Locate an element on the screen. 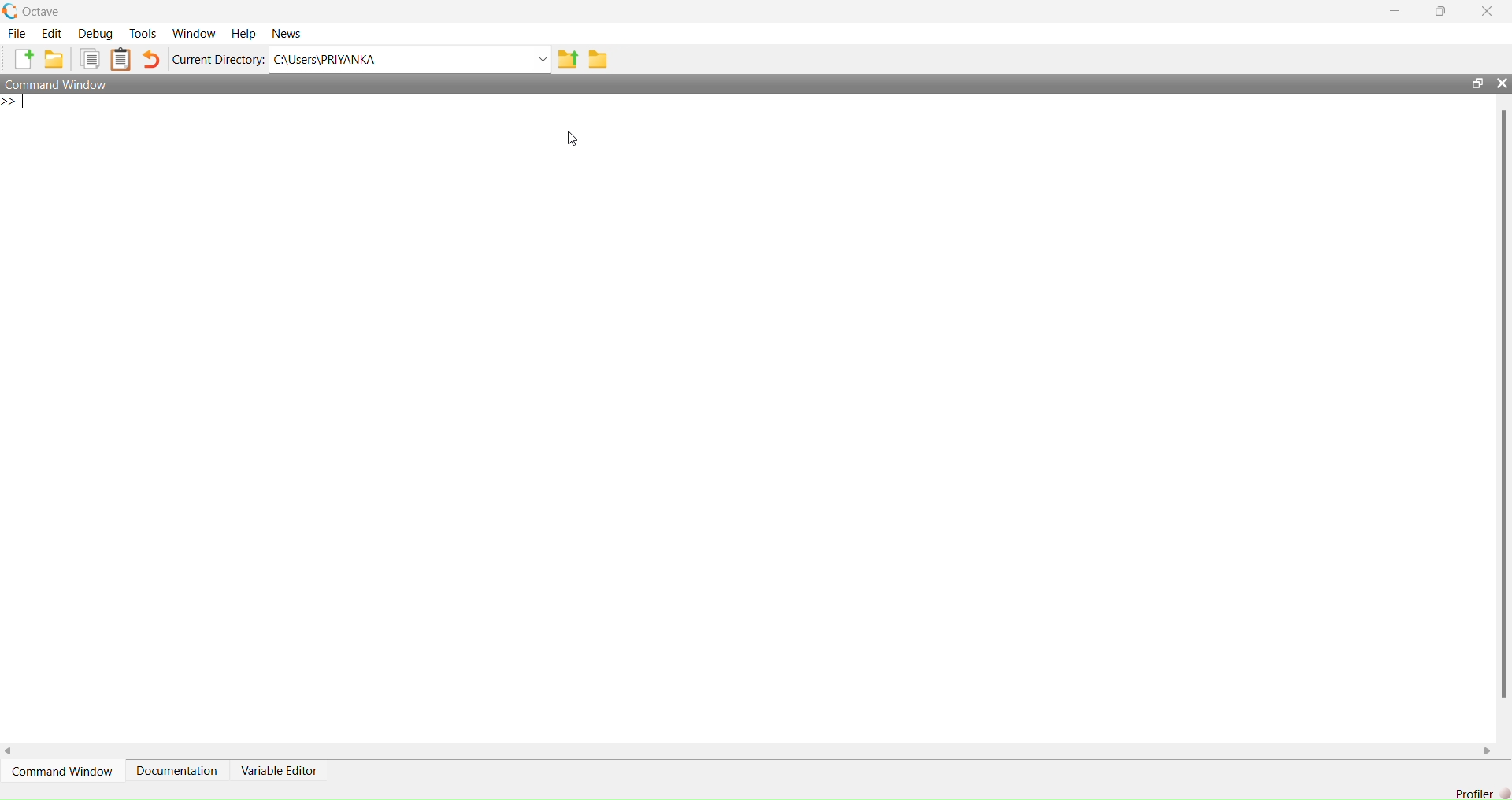  Tools is located at coordinates (144, 33).